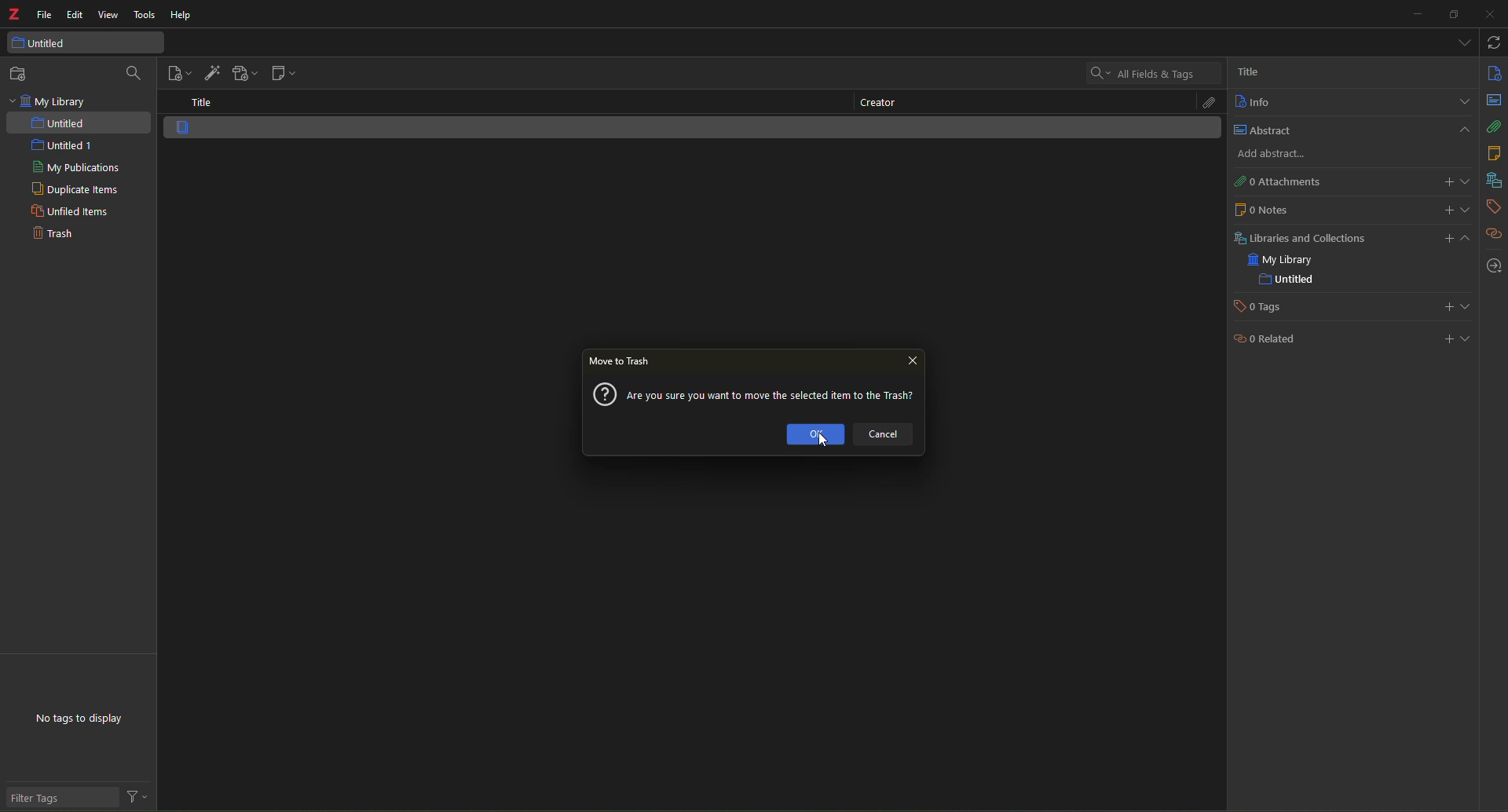  Describe the element at coordinates (91, 722) in the screenshot. I see `no tags` at that location.